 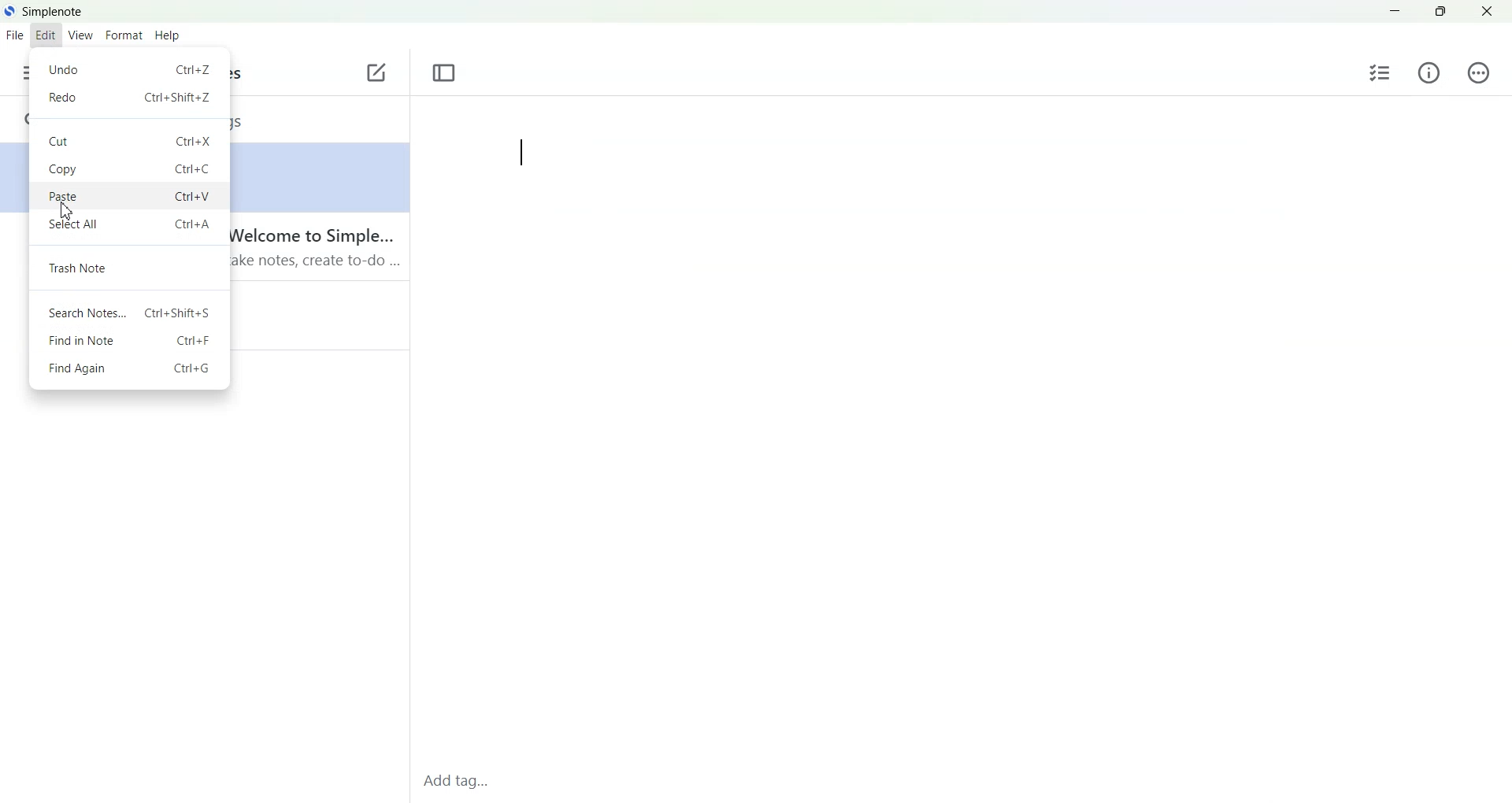 I want to click on Insert Checklist, so click(x=1380, y=72).